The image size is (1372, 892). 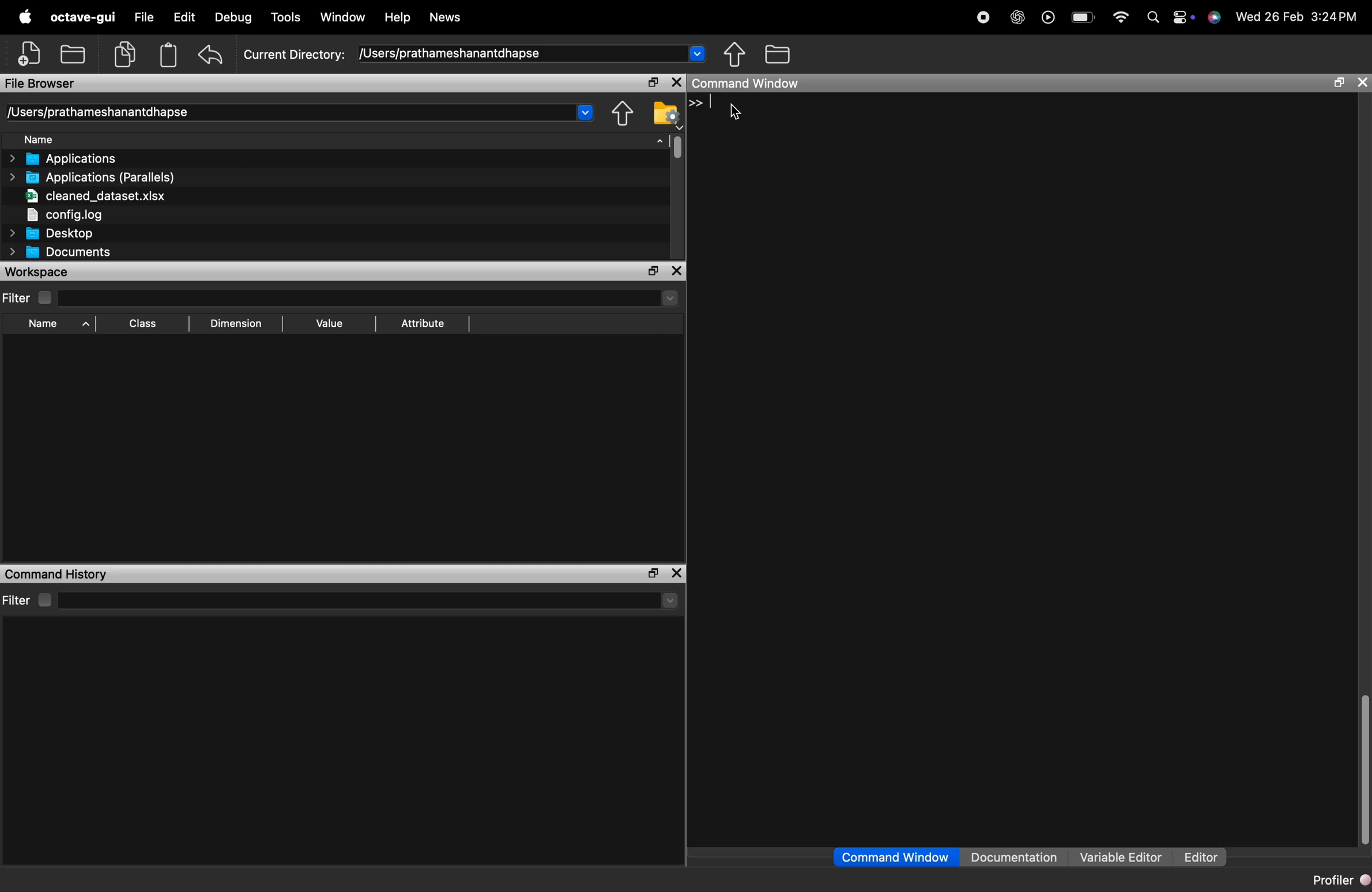 I want to click on Window, so click(x=344, y=17).